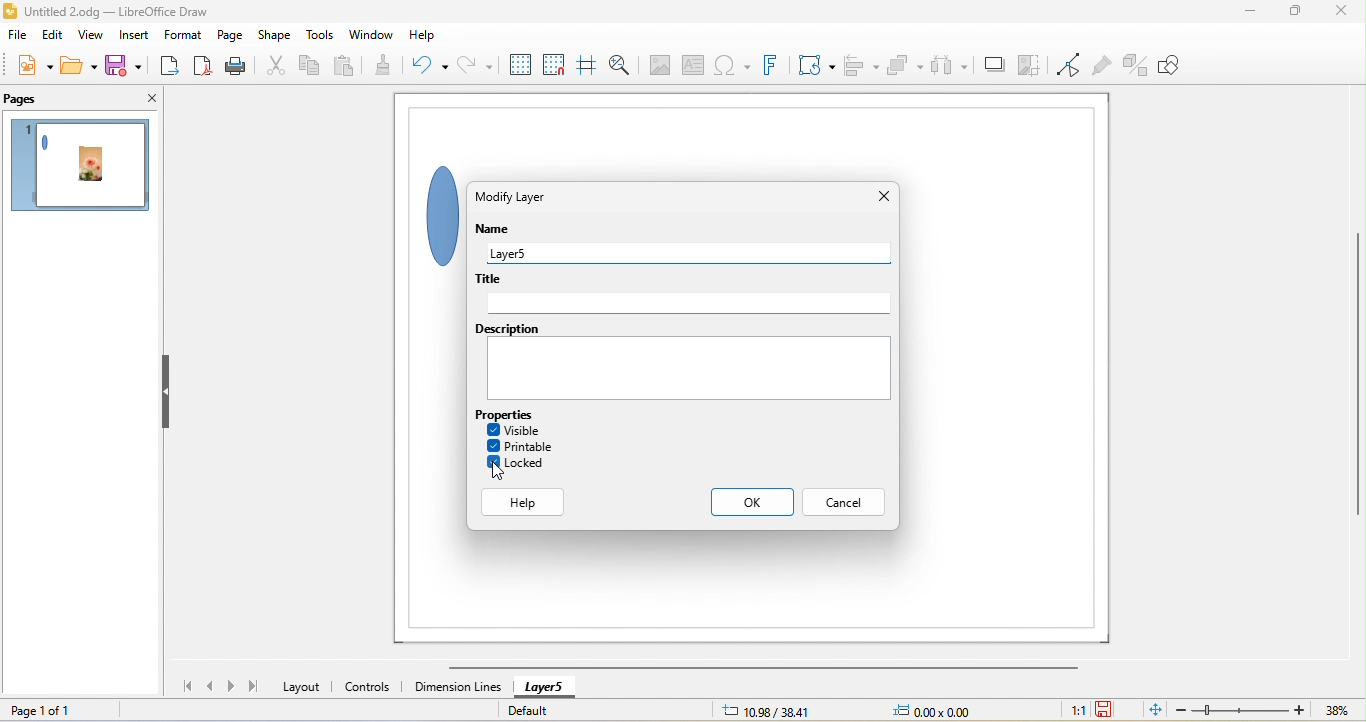 The height and width of the screenshot is (722, 1366). I want to click on arrange, so click(903, 64).